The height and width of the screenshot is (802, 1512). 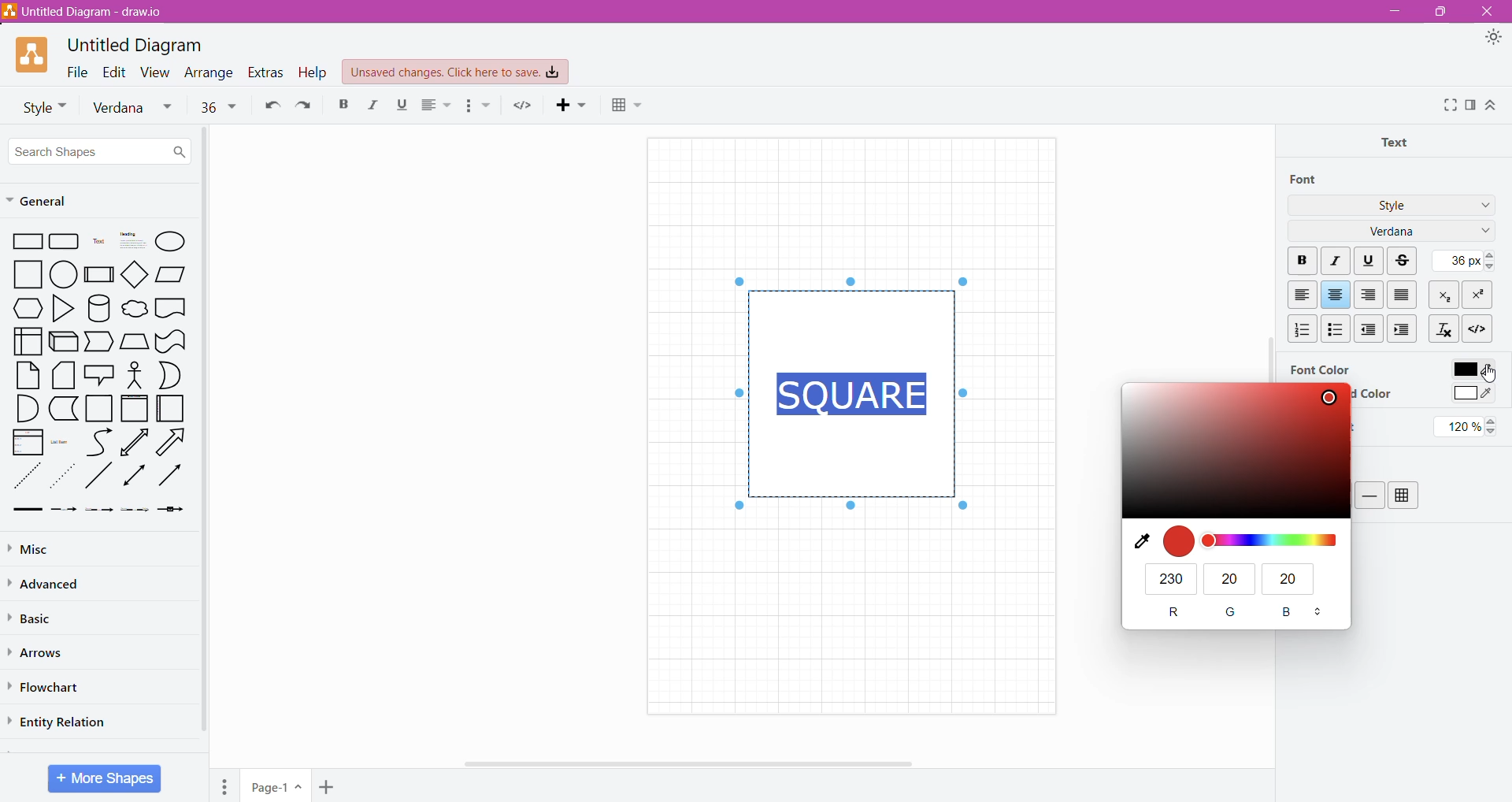 I want to click on Table, so click(x=1403, y=496).